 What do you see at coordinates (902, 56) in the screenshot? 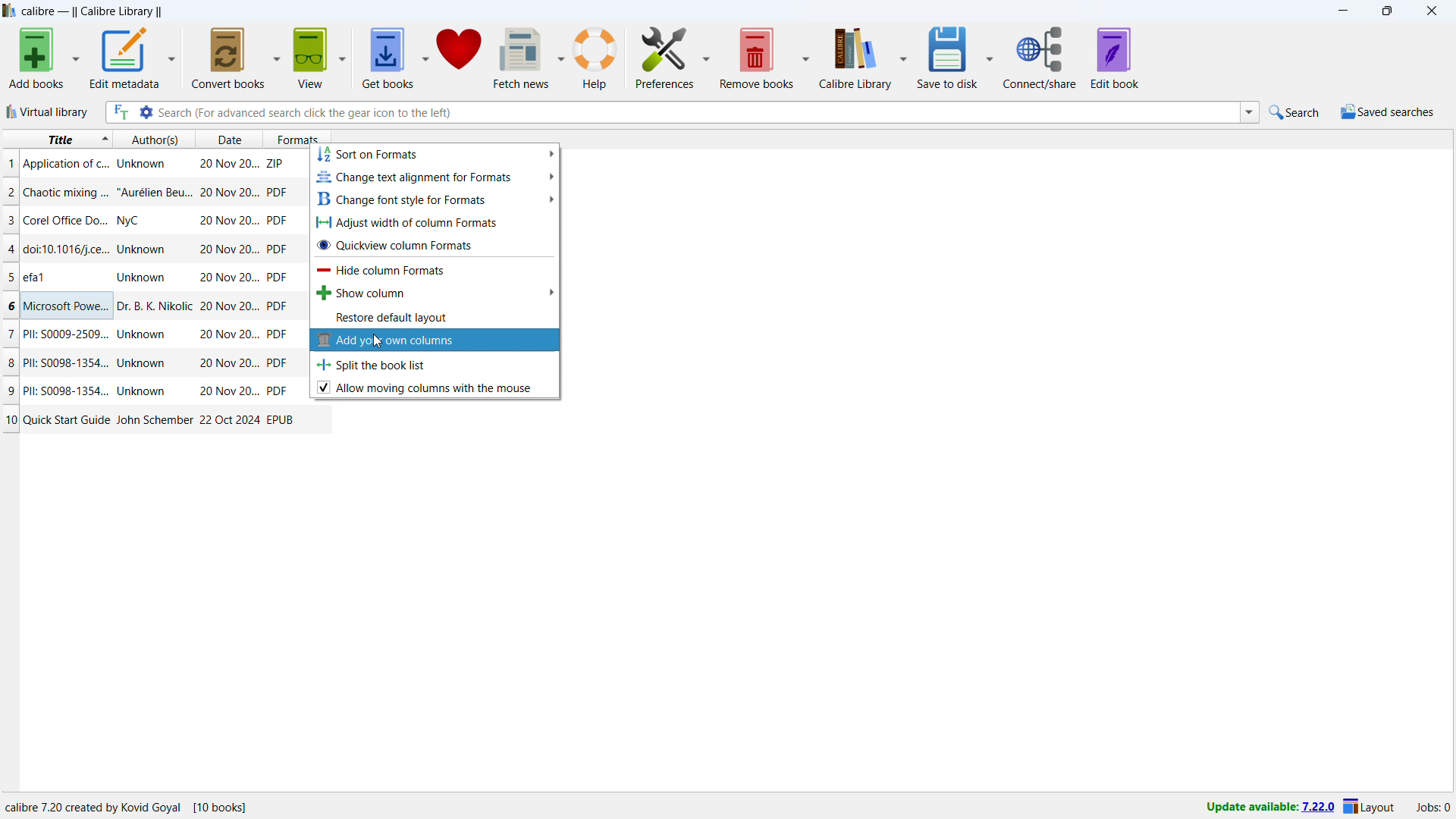
I see `calibre library options` at bounding box center [902, 56].